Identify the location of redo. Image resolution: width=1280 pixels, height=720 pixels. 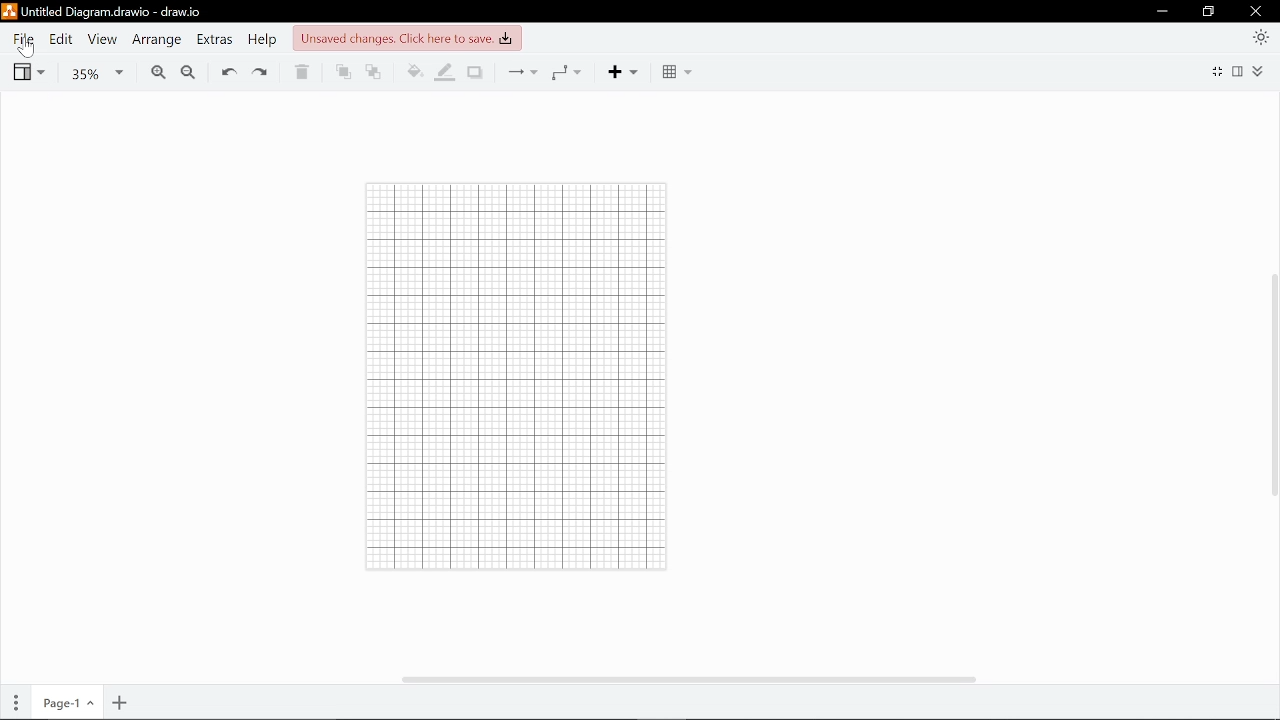
(259, 71).